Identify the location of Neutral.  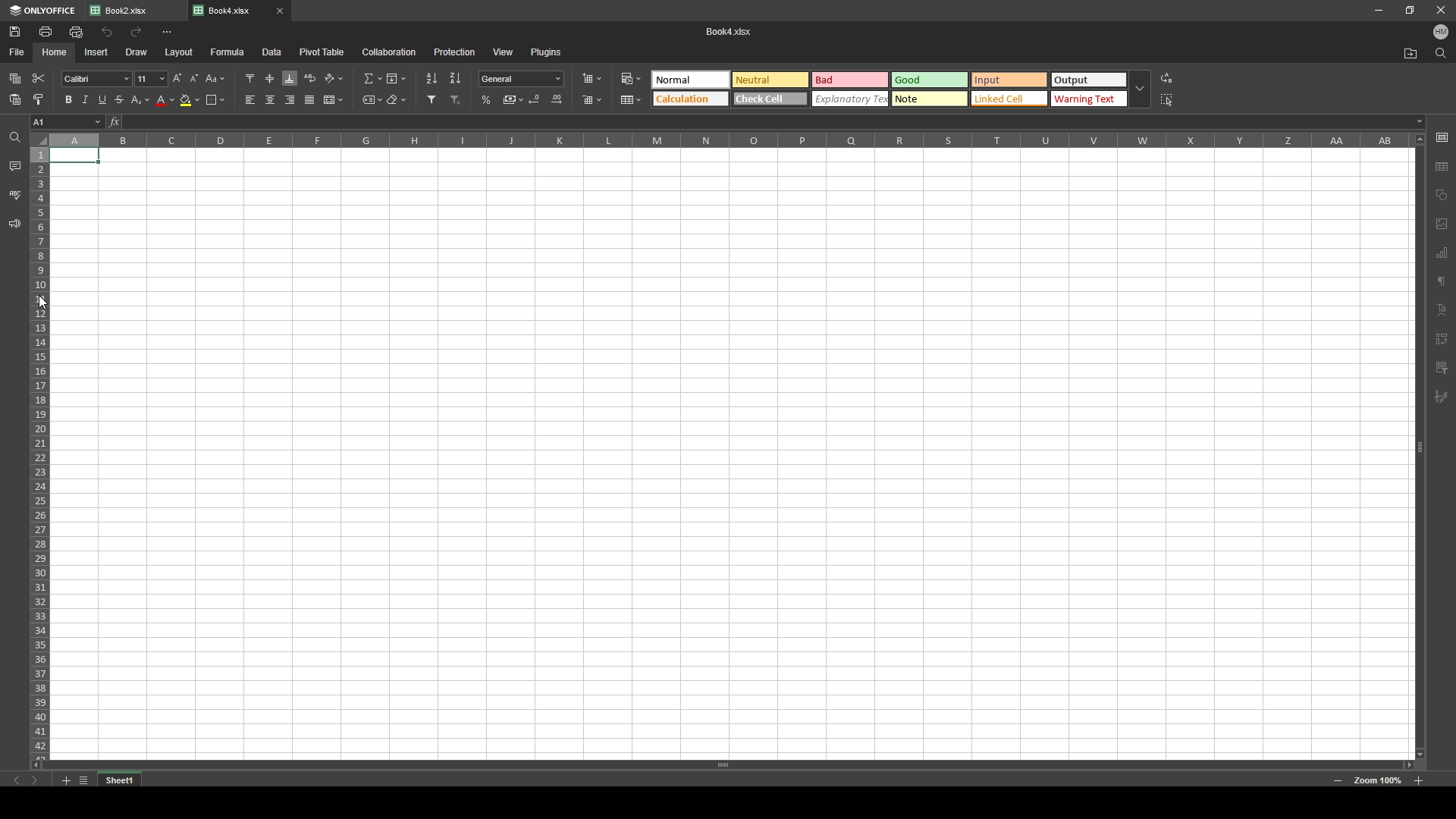
(771, 79).